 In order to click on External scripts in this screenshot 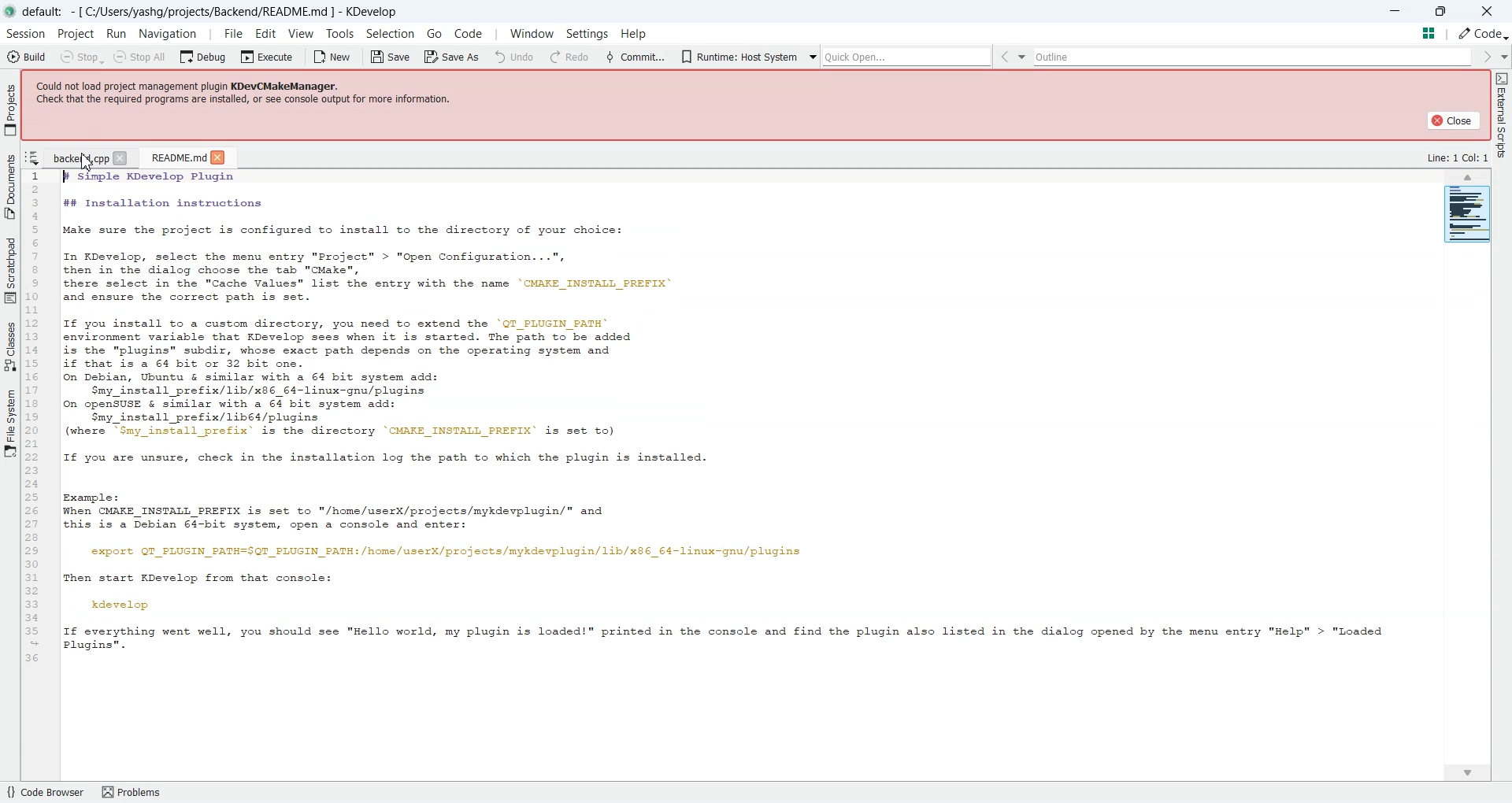, I will do `click(1501, 120)`.